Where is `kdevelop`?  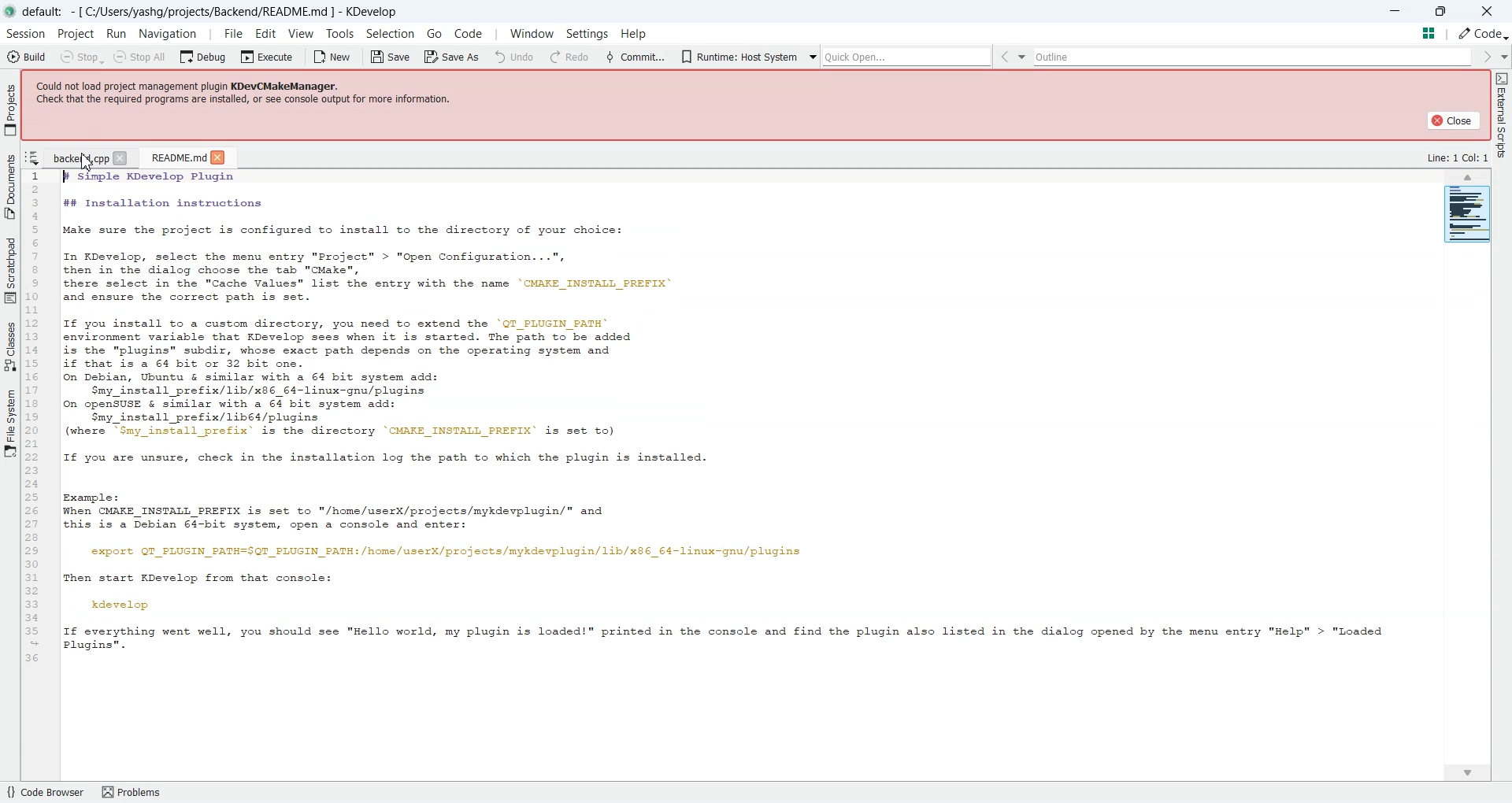
kdevelop is located at coordinates (121, 603).